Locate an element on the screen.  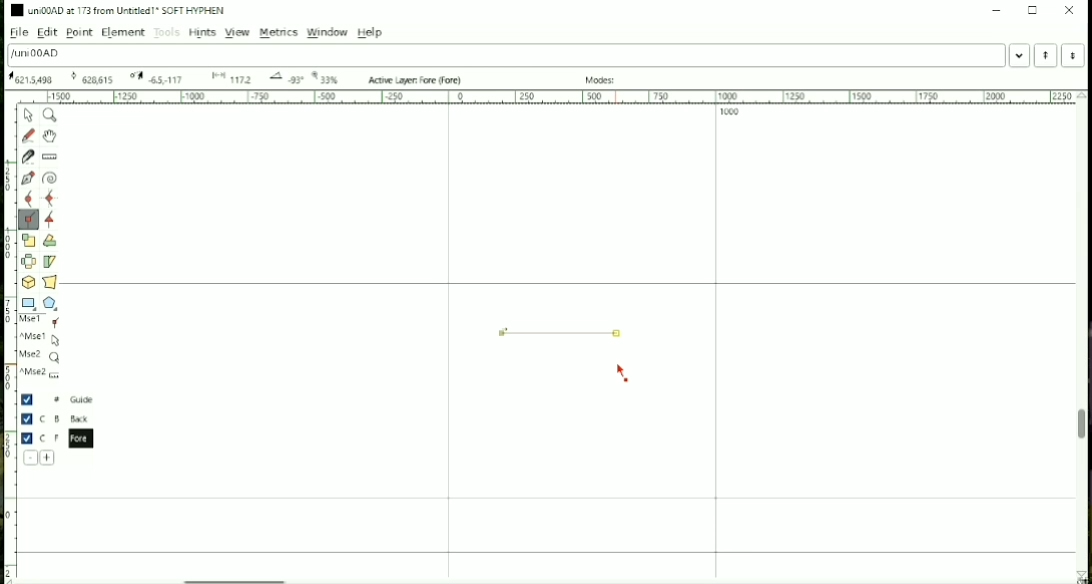
Vertical scale is located at coordinates (10, 336).